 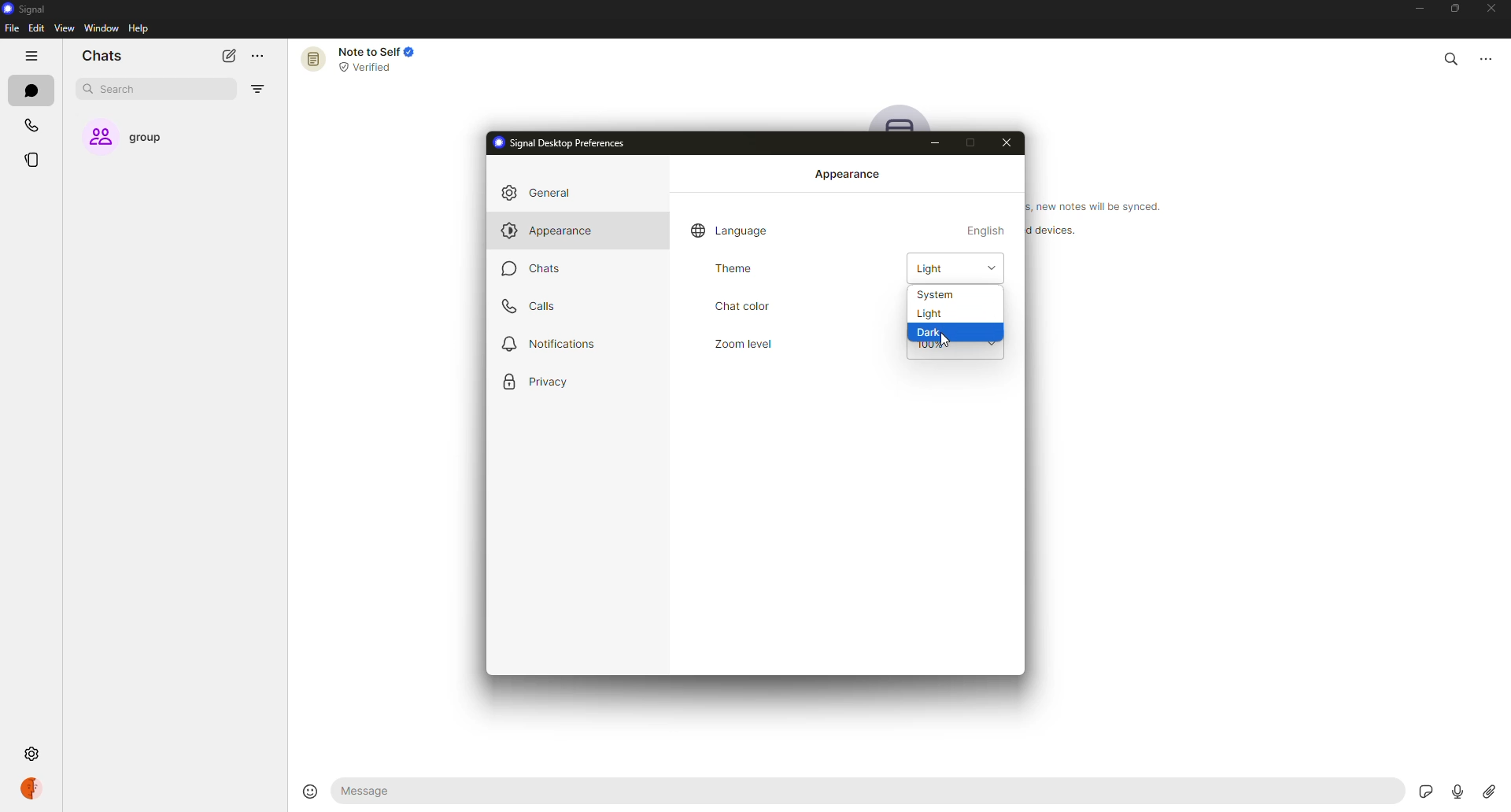 What do you see at coordinates (1494, 9) in the screenshot?
I see `close` at bounding box center [1494, 9].